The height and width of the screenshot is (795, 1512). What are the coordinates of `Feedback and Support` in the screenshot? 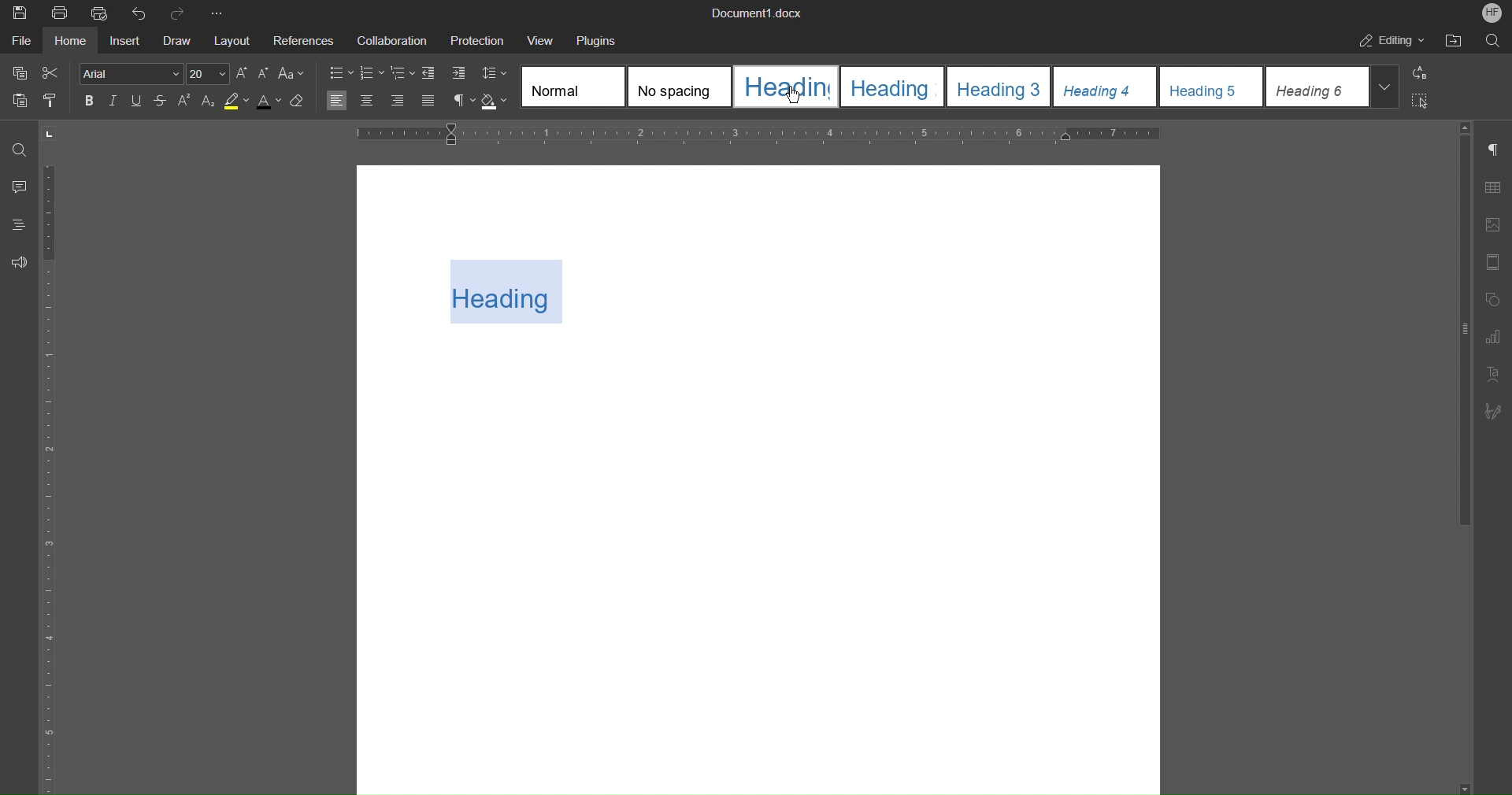 It's located at (19, 262).